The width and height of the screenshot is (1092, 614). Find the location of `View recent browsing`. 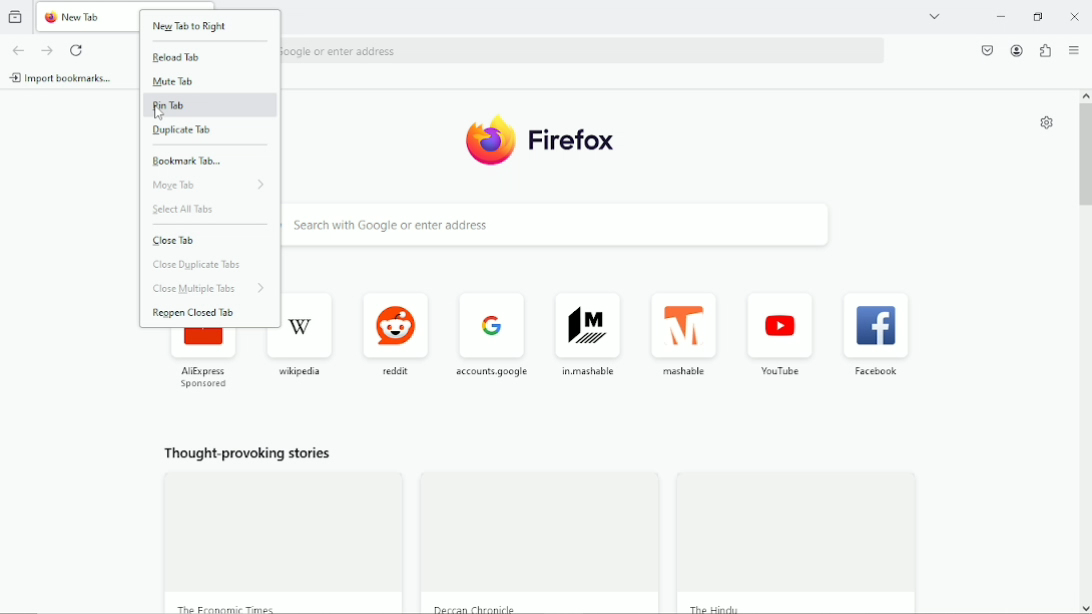

View recent browsing is located at coordinates (15, 16).